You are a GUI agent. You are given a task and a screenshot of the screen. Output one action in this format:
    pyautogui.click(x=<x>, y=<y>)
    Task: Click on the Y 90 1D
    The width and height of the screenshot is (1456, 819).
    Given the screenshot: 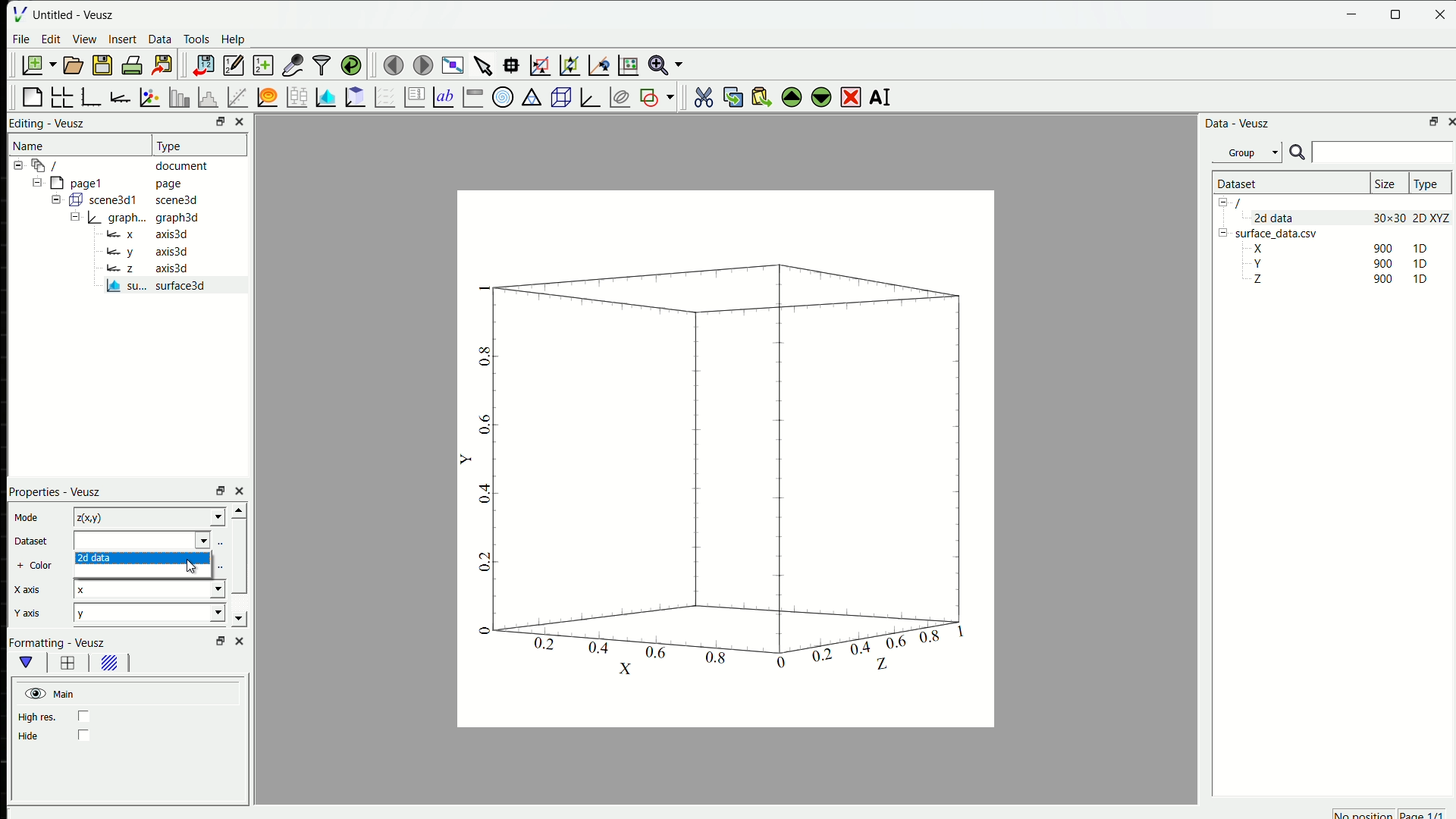 What is the action you would take?
    pyautogui.click(x=1336, y=263)
    